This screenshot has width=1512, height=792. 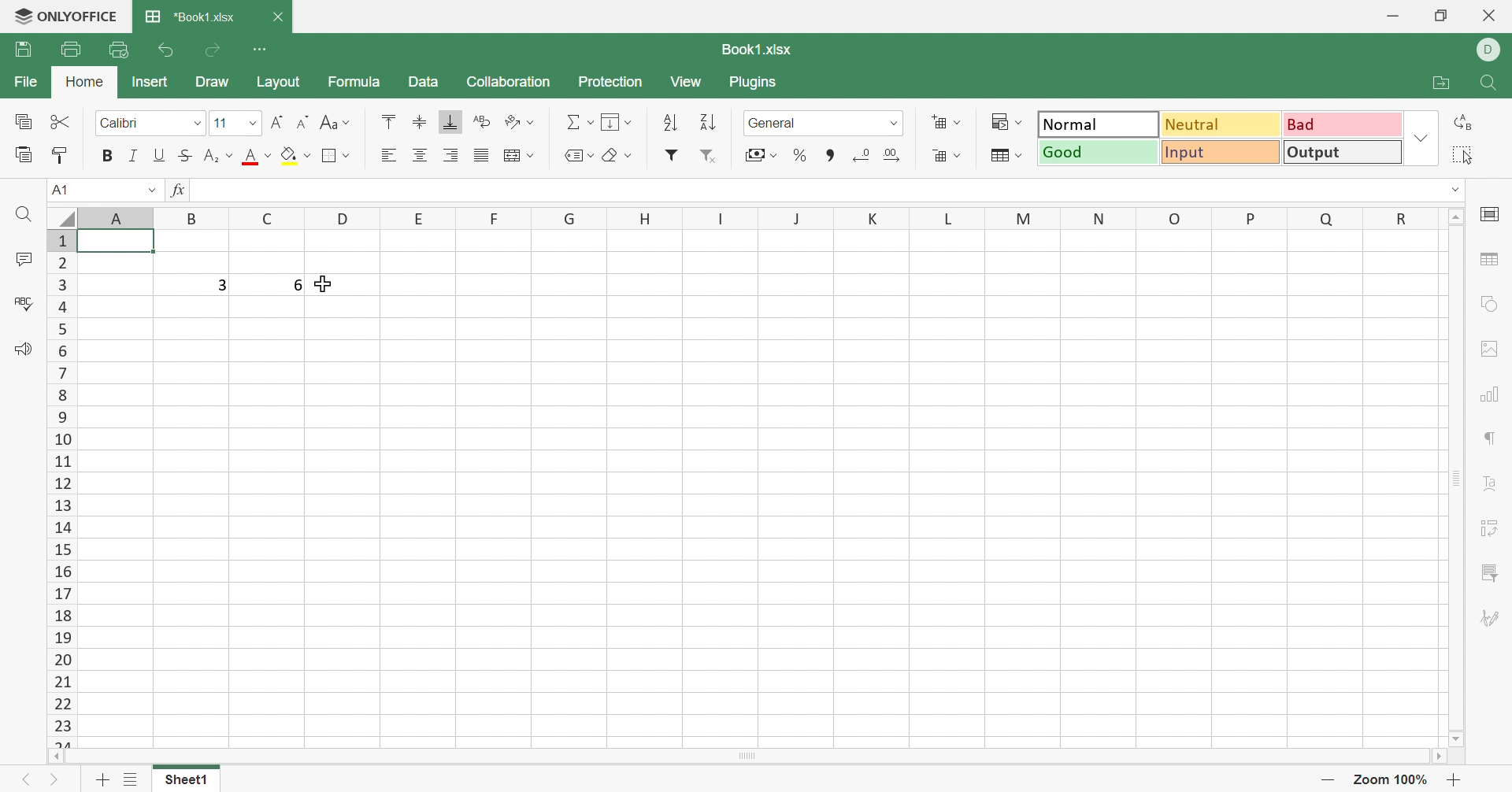 What do you see at coordinates (1492, 14) in the screenshot?
I see `Close` at bounding box center [1492, 14].